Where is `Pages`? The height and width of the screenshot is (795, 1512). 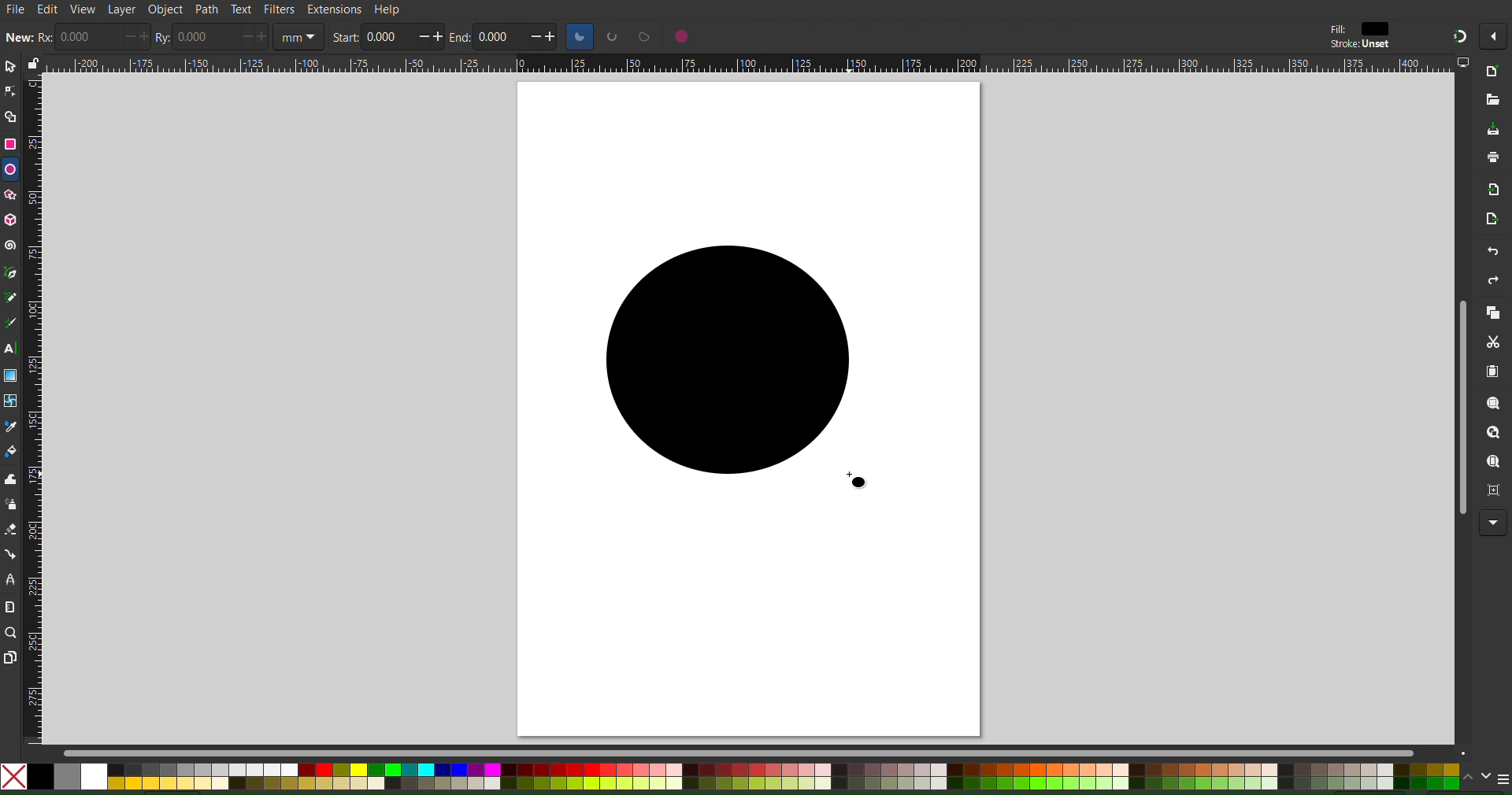
Pages is located at coordinates (10, 655).